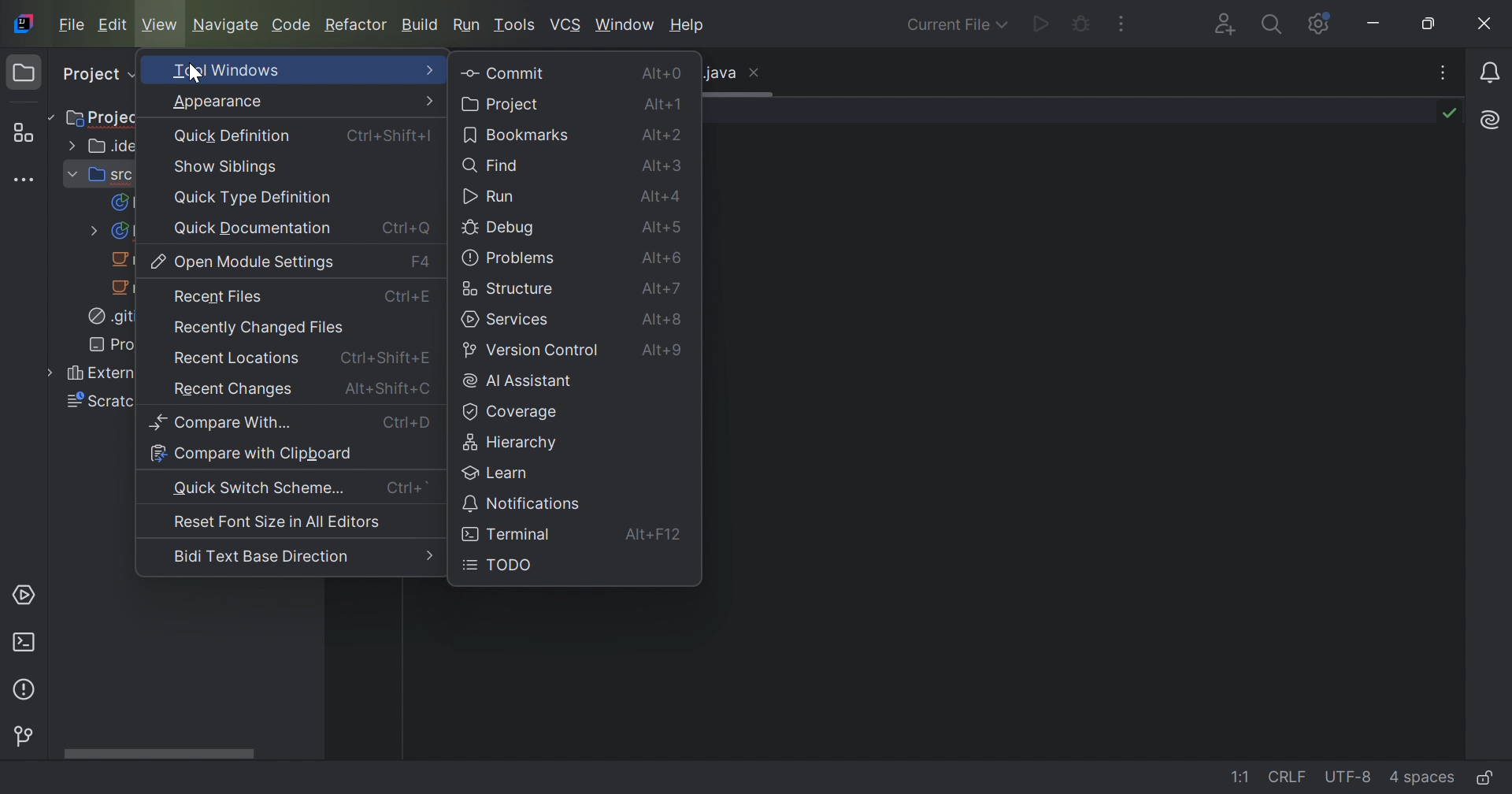 The image size is (1512, 794). What do you see at coordinates (27, 24) in the screenshot?
I see `IntelliJ IDEA` at bounding box center [27, 24].